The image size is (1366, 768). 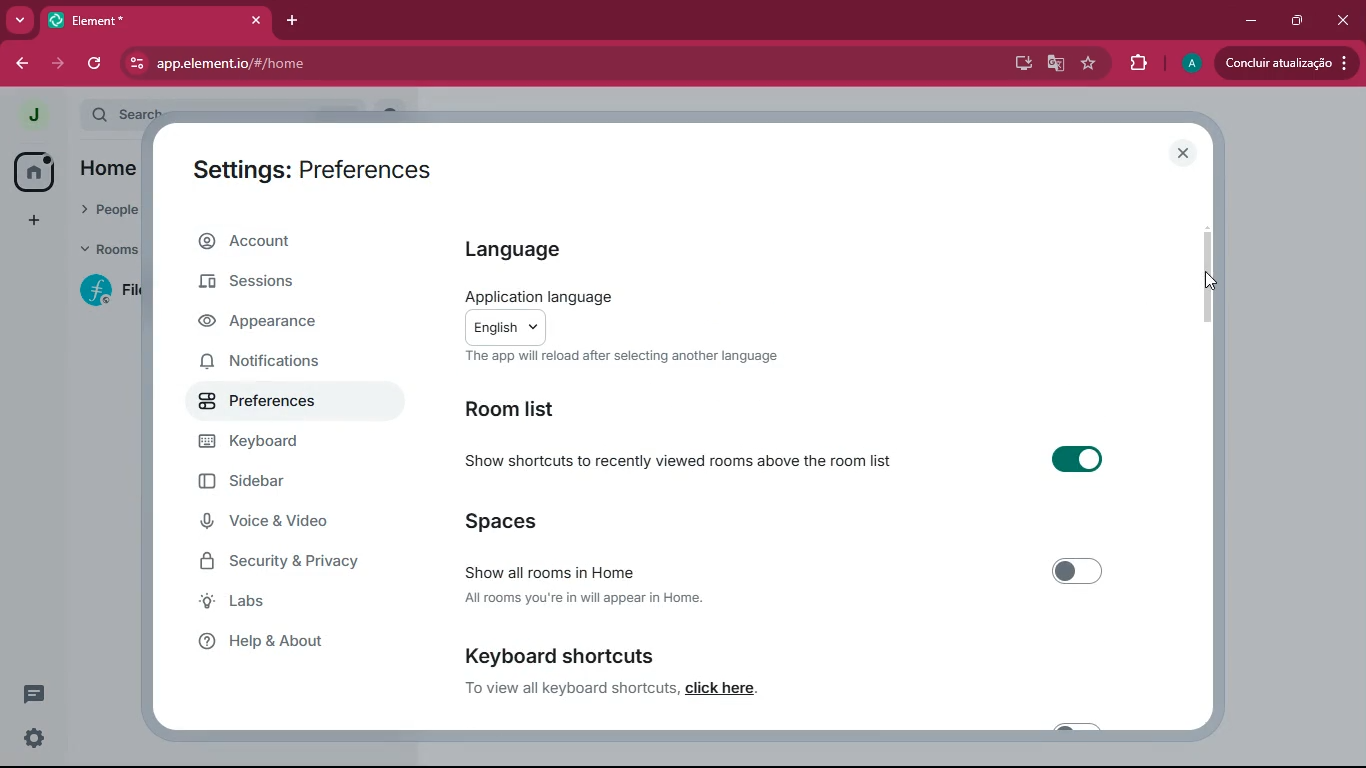 I want to click on cursor, so click(x=1211, y=281).